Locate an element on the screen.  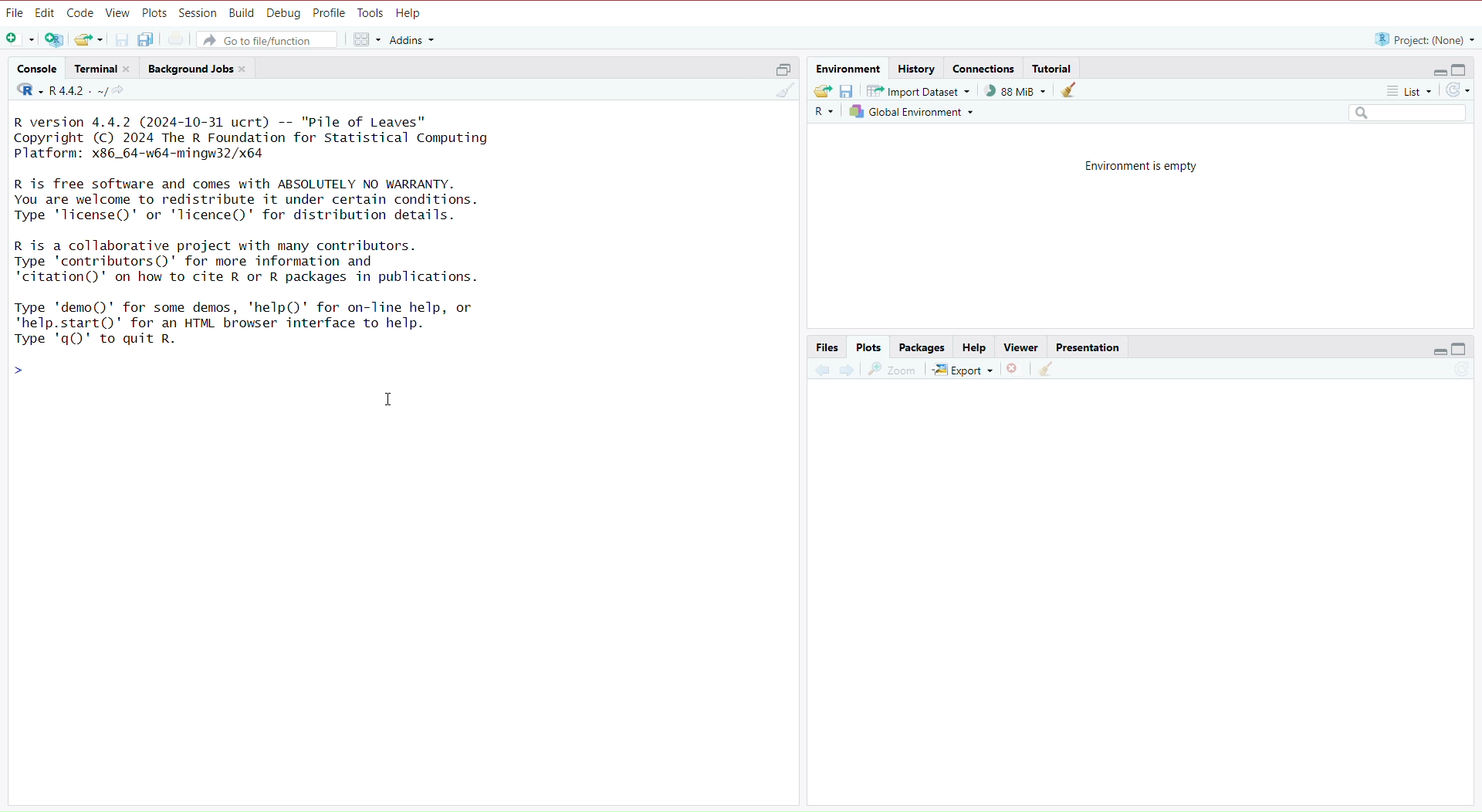
session is located at coordinates (198, 14).